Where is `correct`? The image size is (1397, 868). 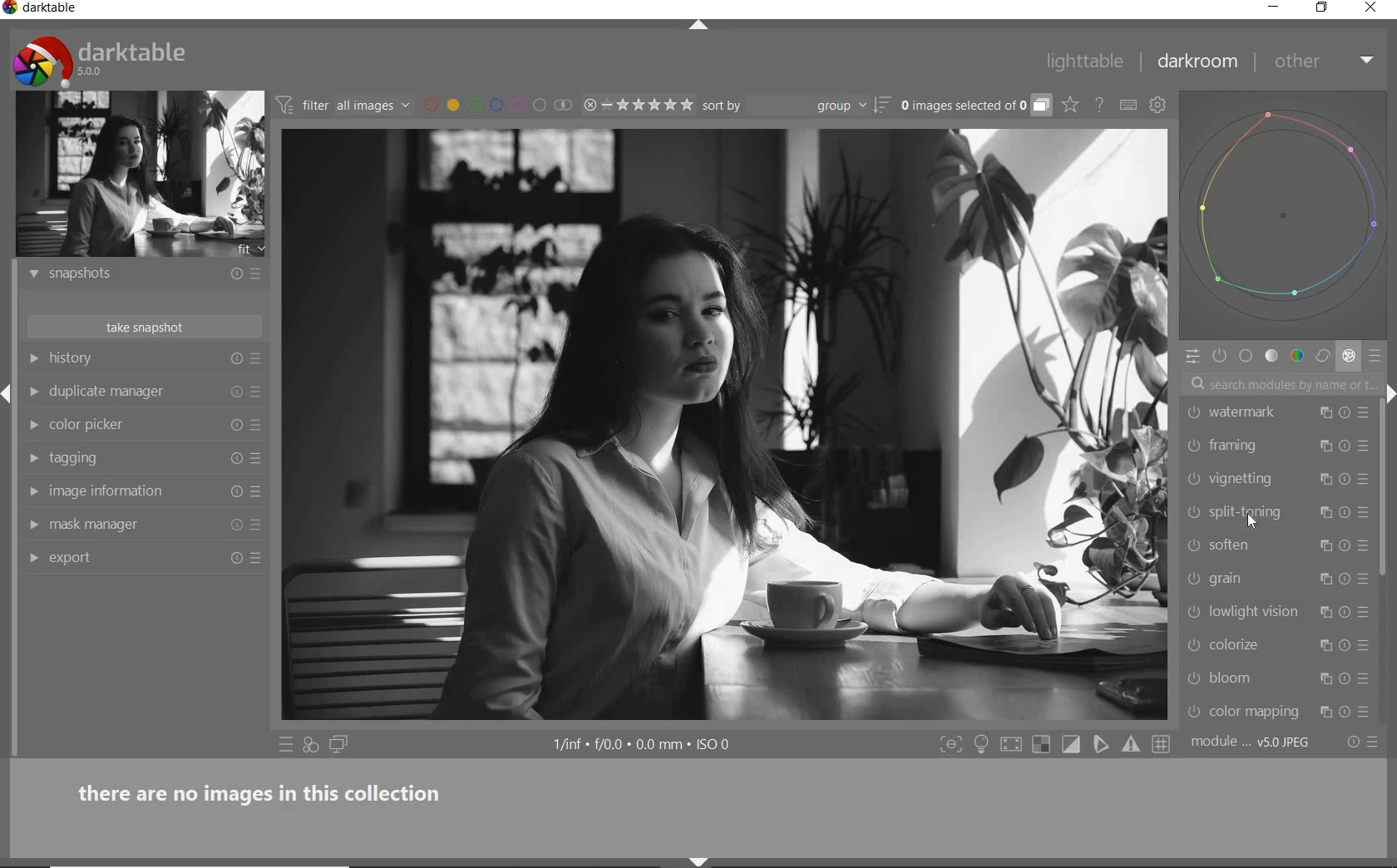 correct is located at coordinates (1323, 357).